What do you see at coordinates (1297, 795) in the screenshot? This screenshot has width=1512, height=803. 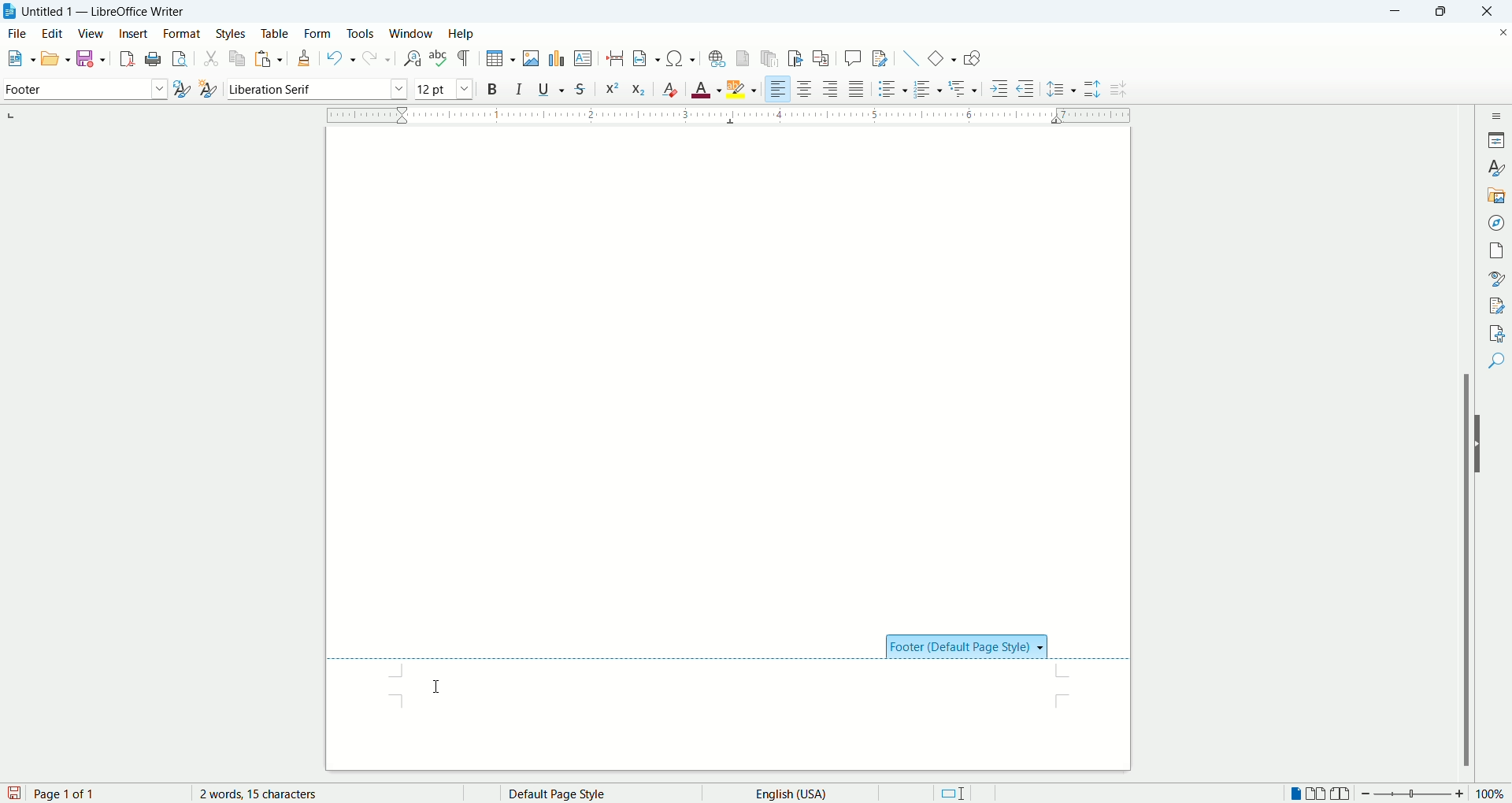 I see `single page view` at bounding box center [1297, 795].